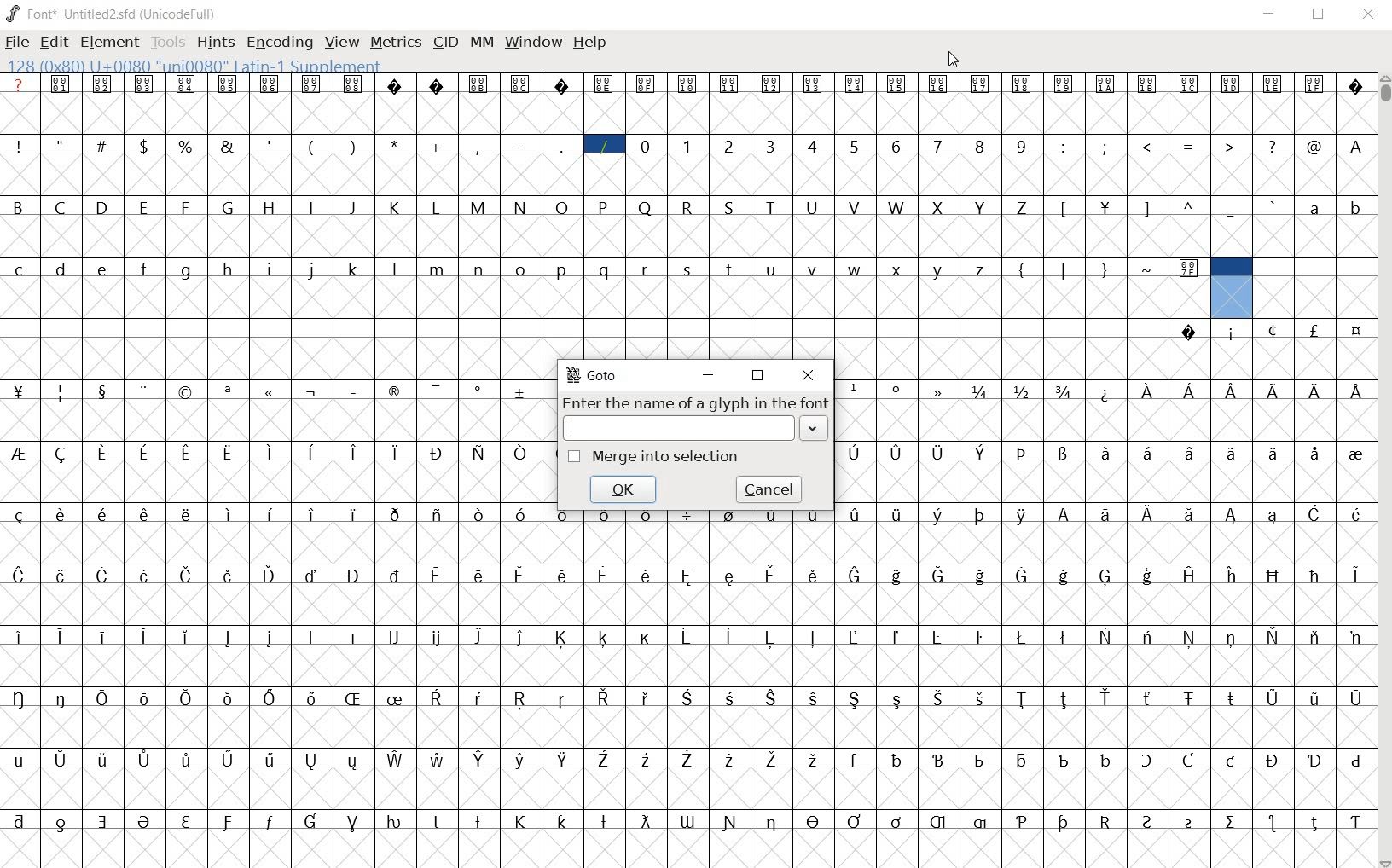 The image size is (1392, 868). What do you see at coordinates (342, 42) in the screenshot?
I see `view` at bounding box center [342, 42].